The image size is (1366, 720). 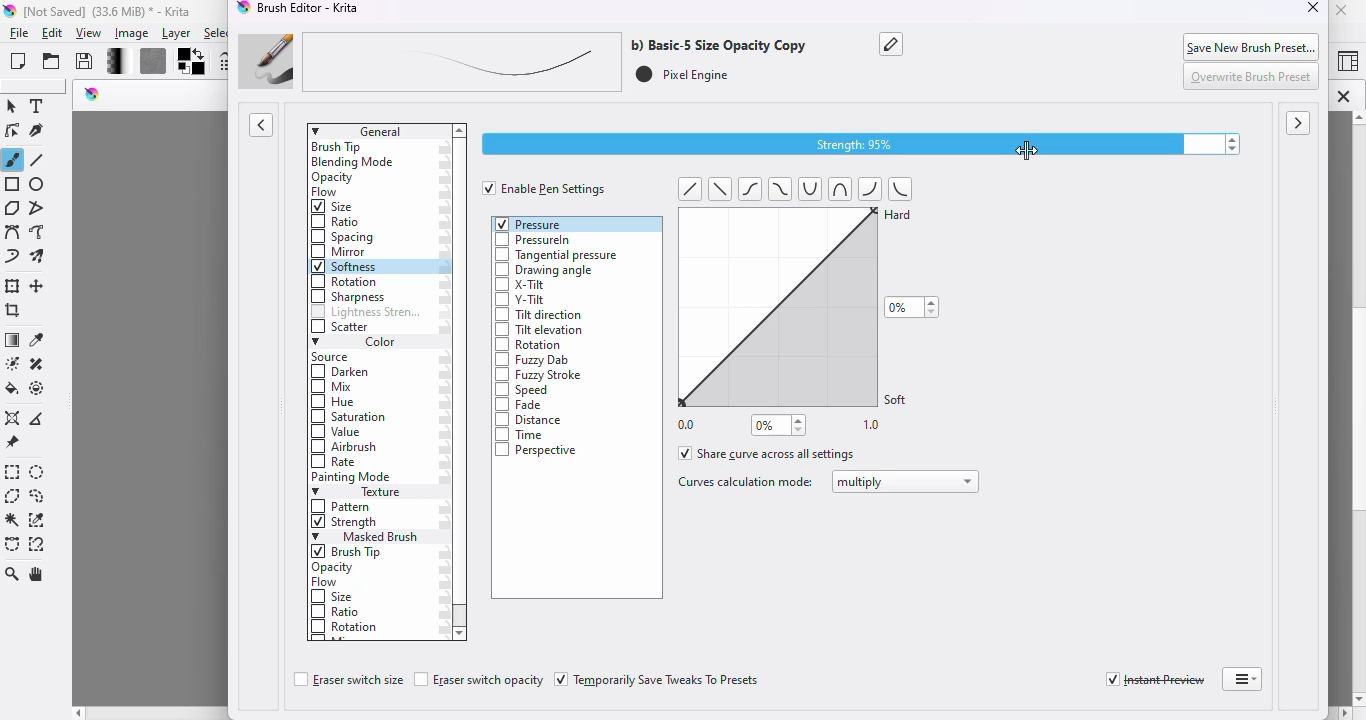 What do you see at coordinates (13, 472) in the screenshot?
I see `rectangular selection tool` at bounding box center [13, 472].